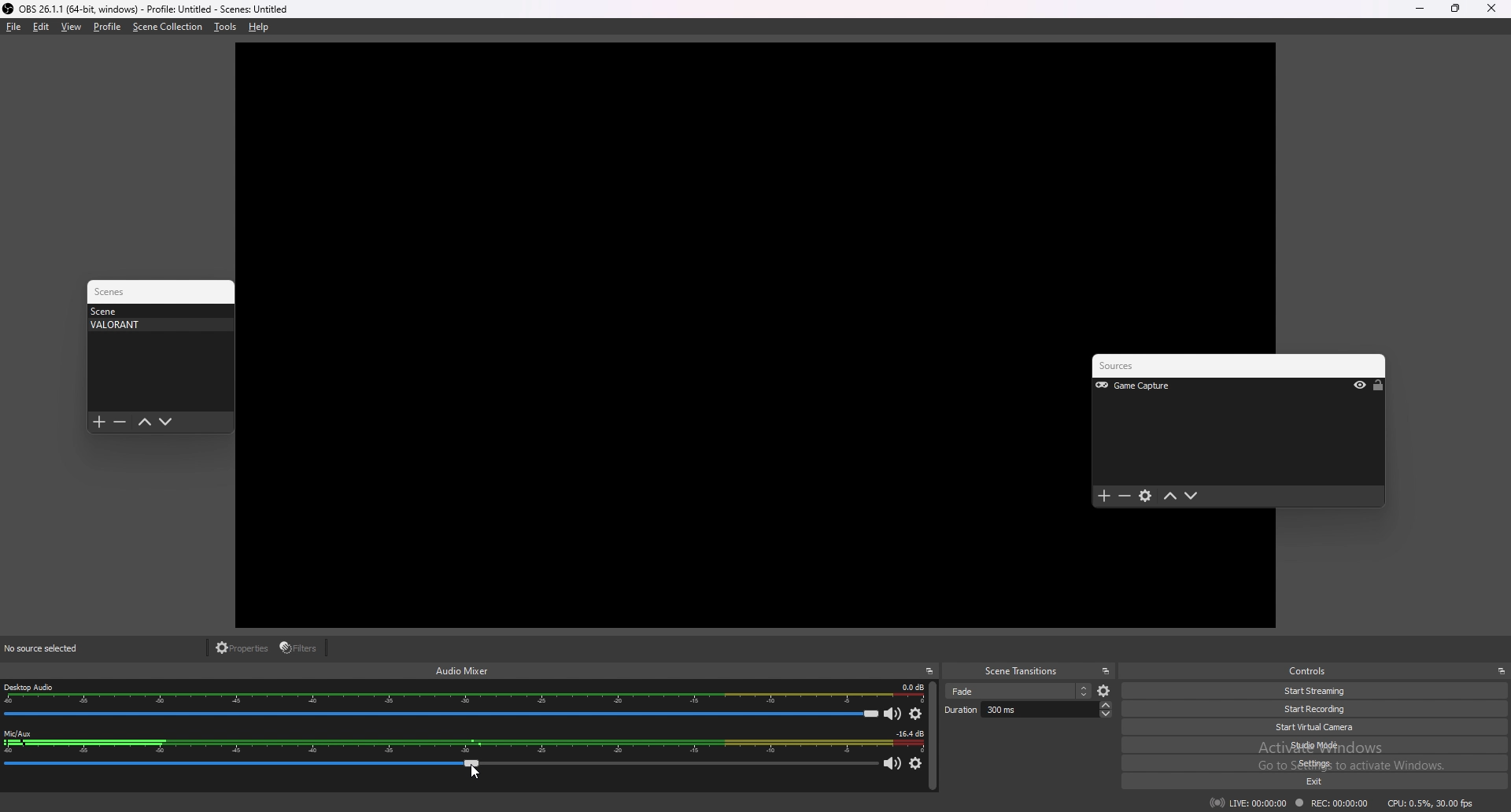 The image size is (1511, 812). I want to click on obs 26.1.1(64 bit windows) profile untitled scenes untitled, so click(146, 9).